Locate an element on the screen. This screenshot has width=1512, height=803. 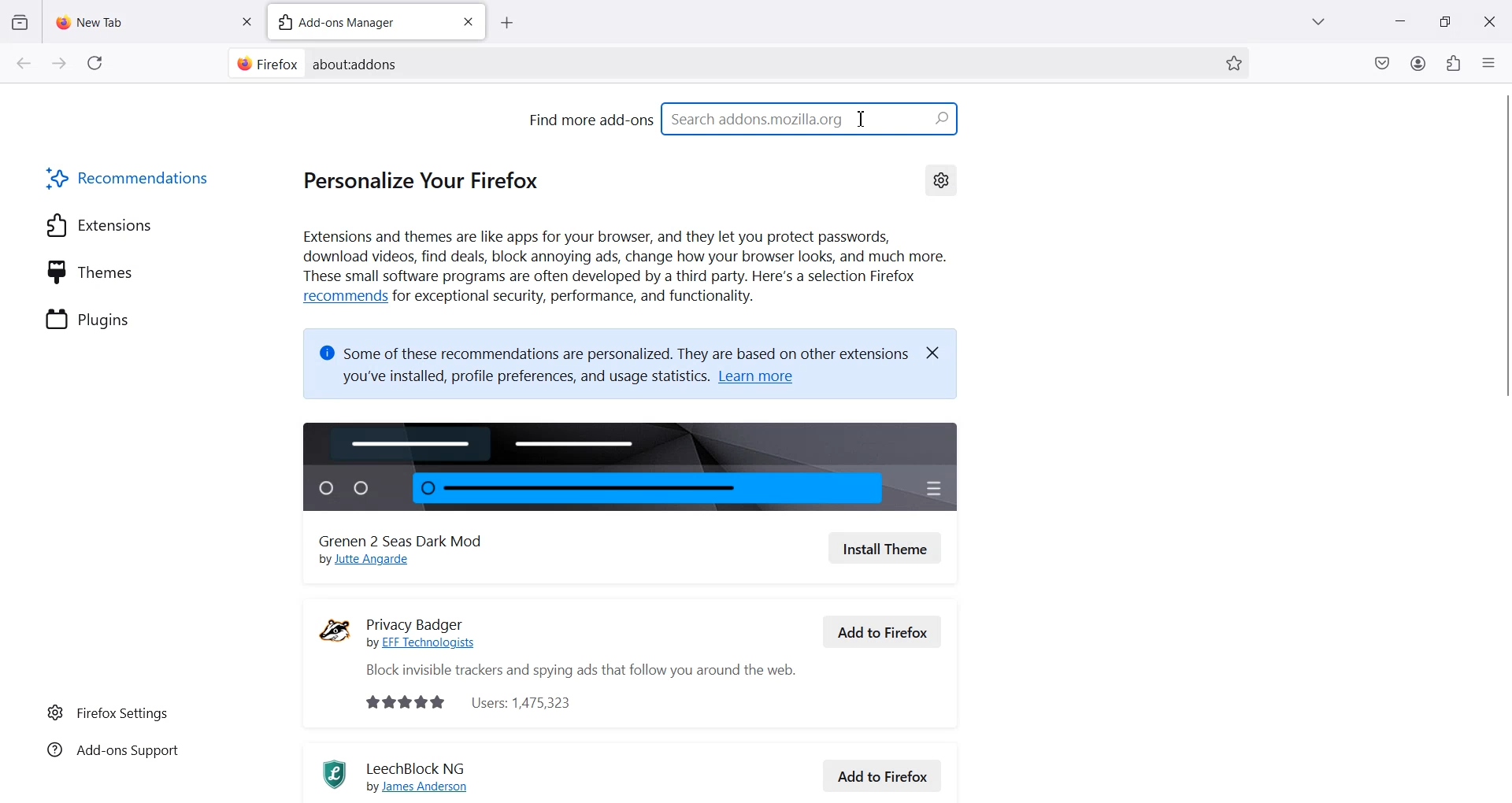
Settings is located at coordinates (941, 179).